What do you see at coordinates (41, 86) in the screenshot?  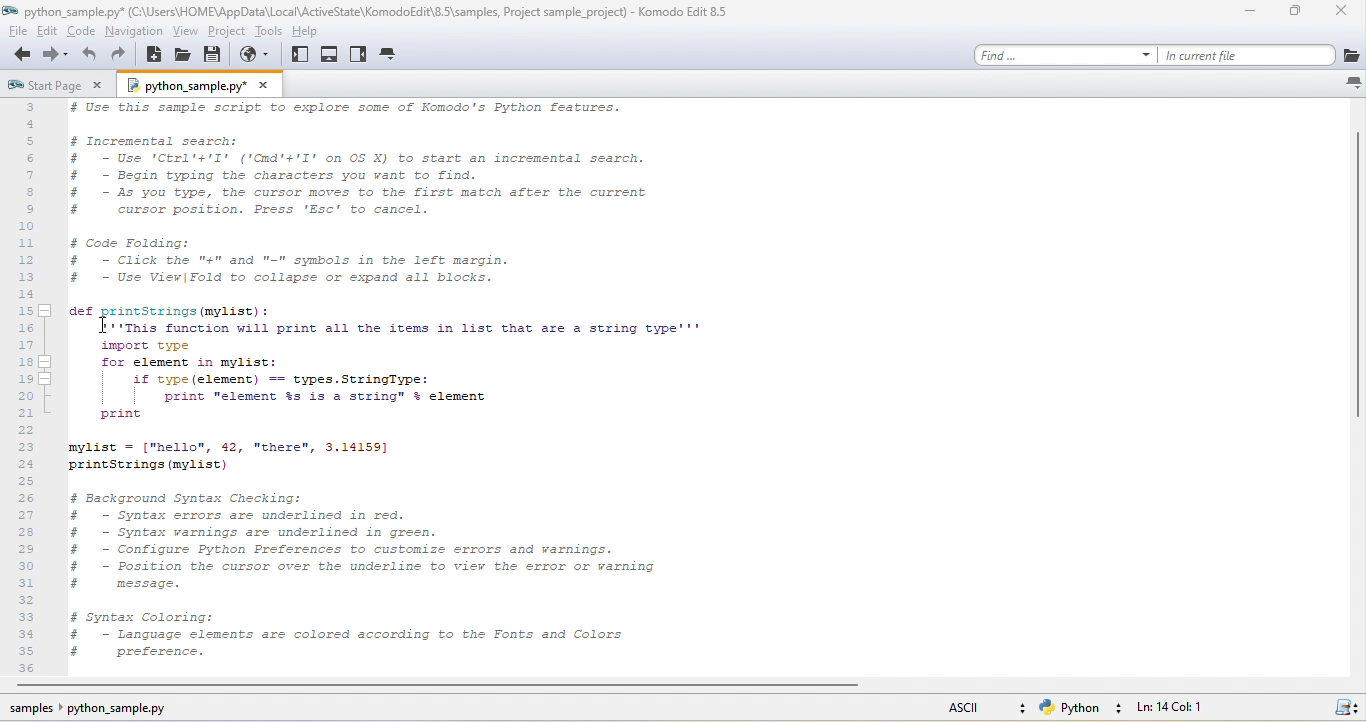 I see `start page` at bounding box center [41, 86].